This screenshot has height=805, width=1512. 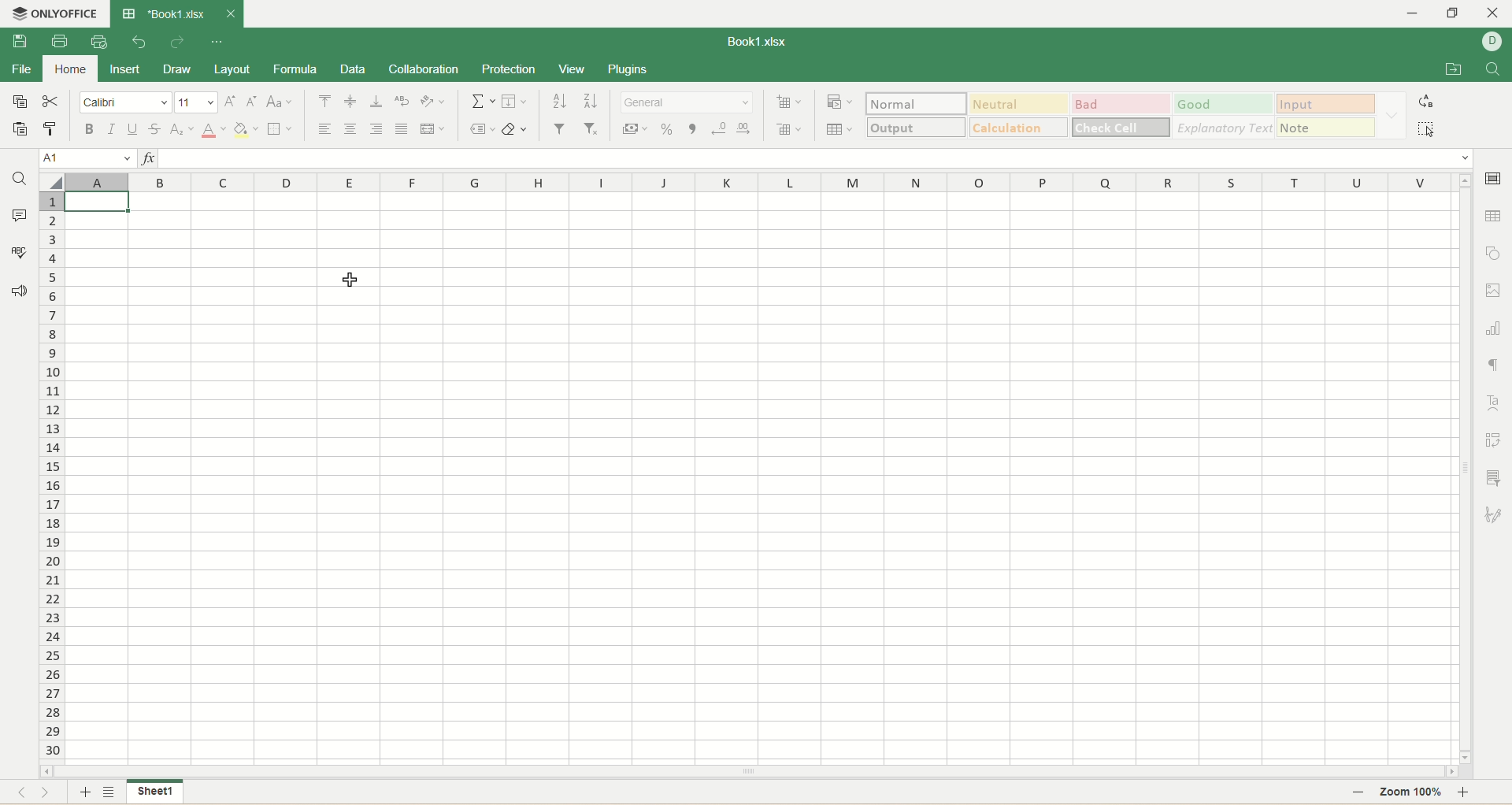 What do you see at coordinates (87, 128) in the screenshot?
I see `bold` at bounding box center [87, 128].